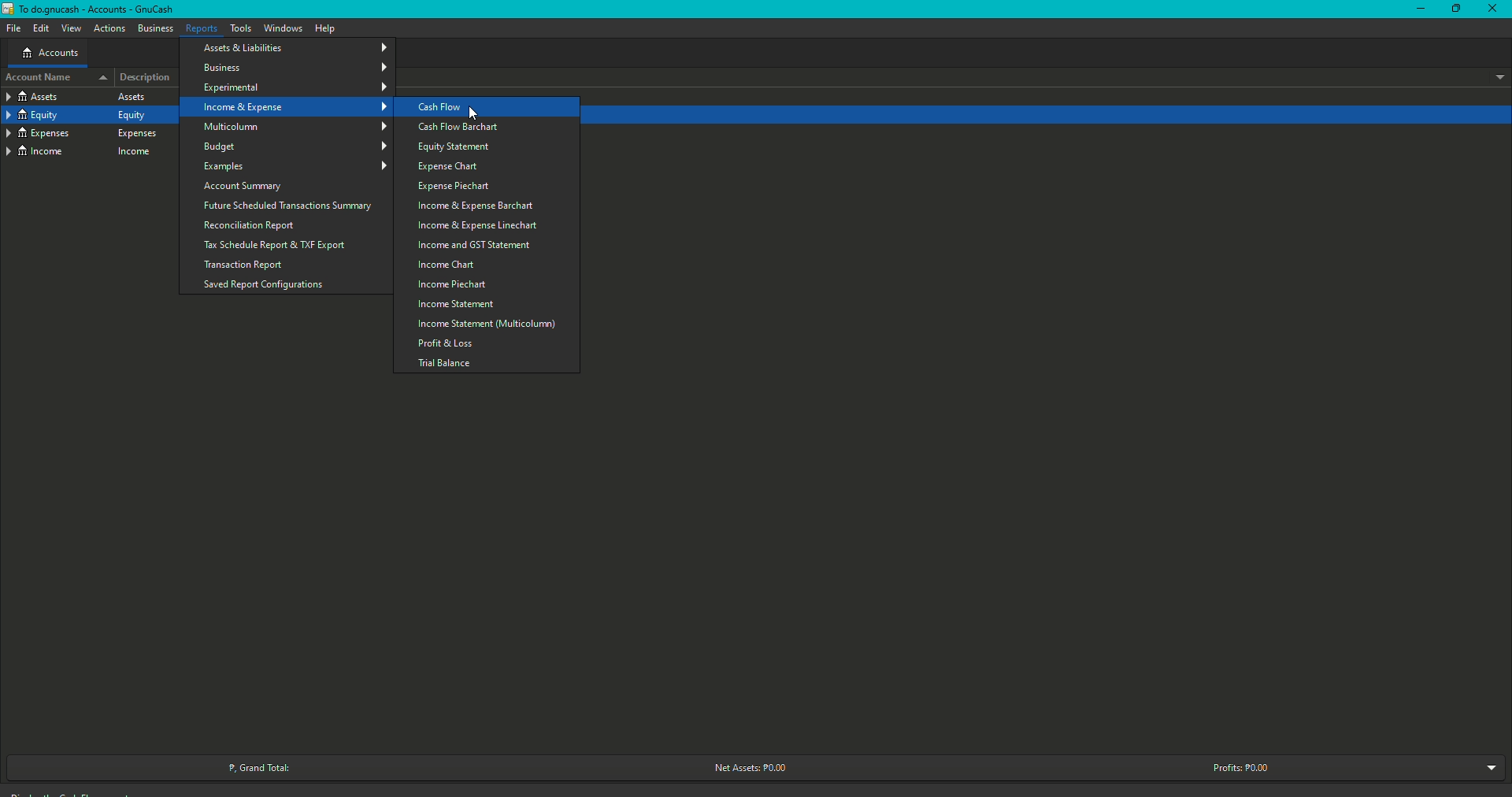 The width and height of the screenshot is (1512, 797). What do you see at coordinates (50, 53) in the screenshot?
I see `Accounts` at bounding box center [50, 53].